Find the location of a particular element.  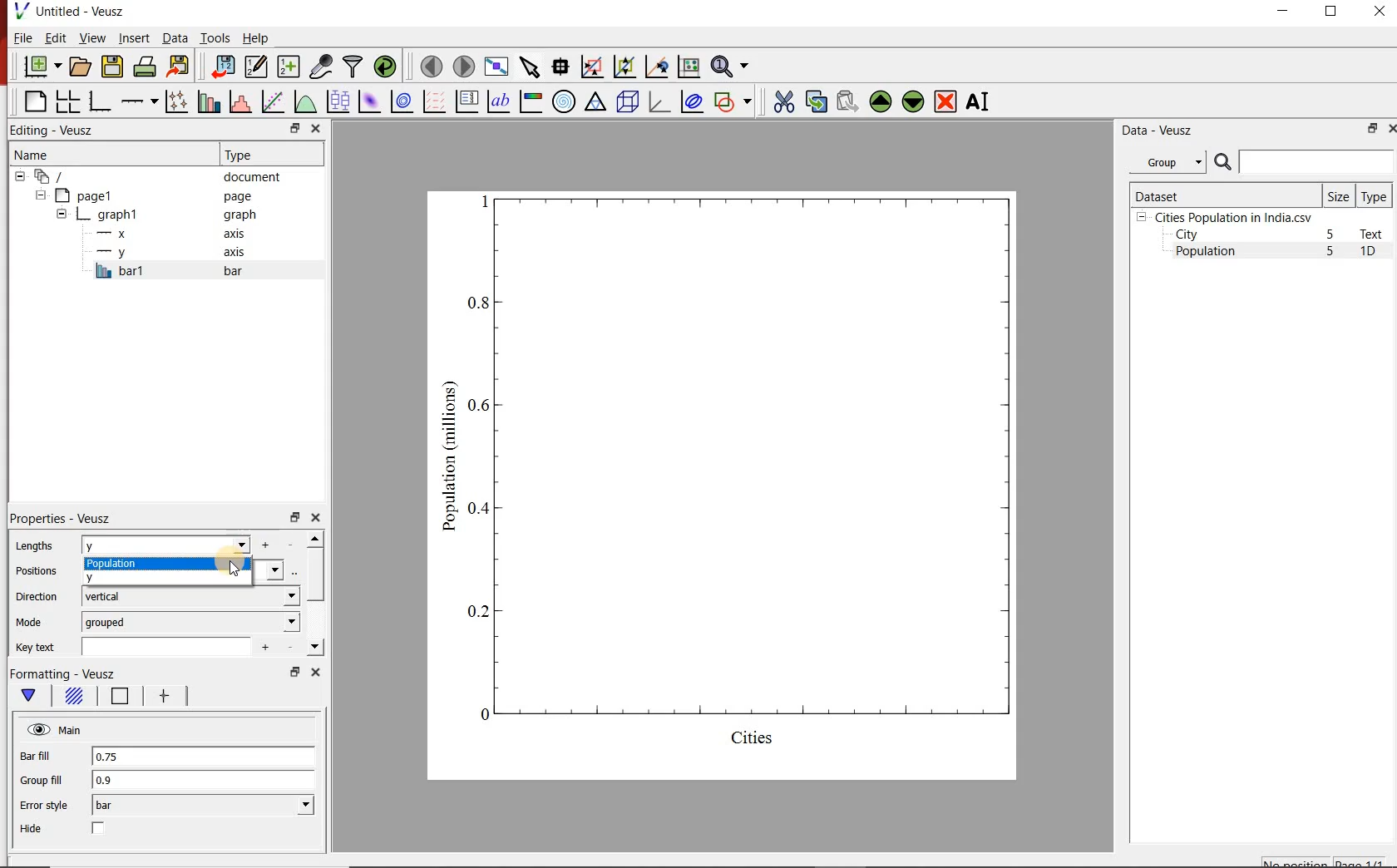

5 is located at coordinates (1331, 235).